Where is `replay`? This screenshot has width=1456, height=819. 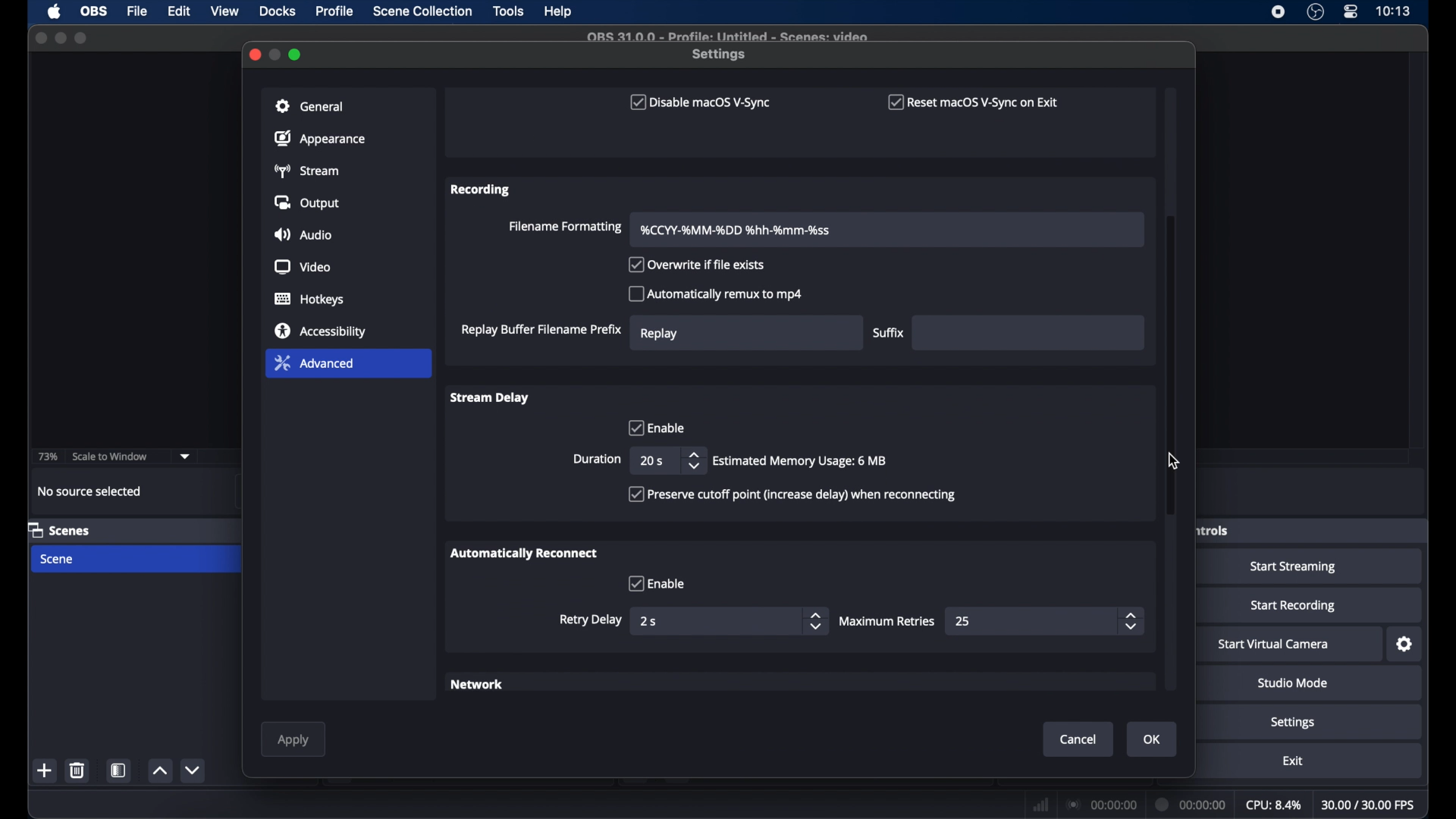
replay is located at coordinates (660, 333).